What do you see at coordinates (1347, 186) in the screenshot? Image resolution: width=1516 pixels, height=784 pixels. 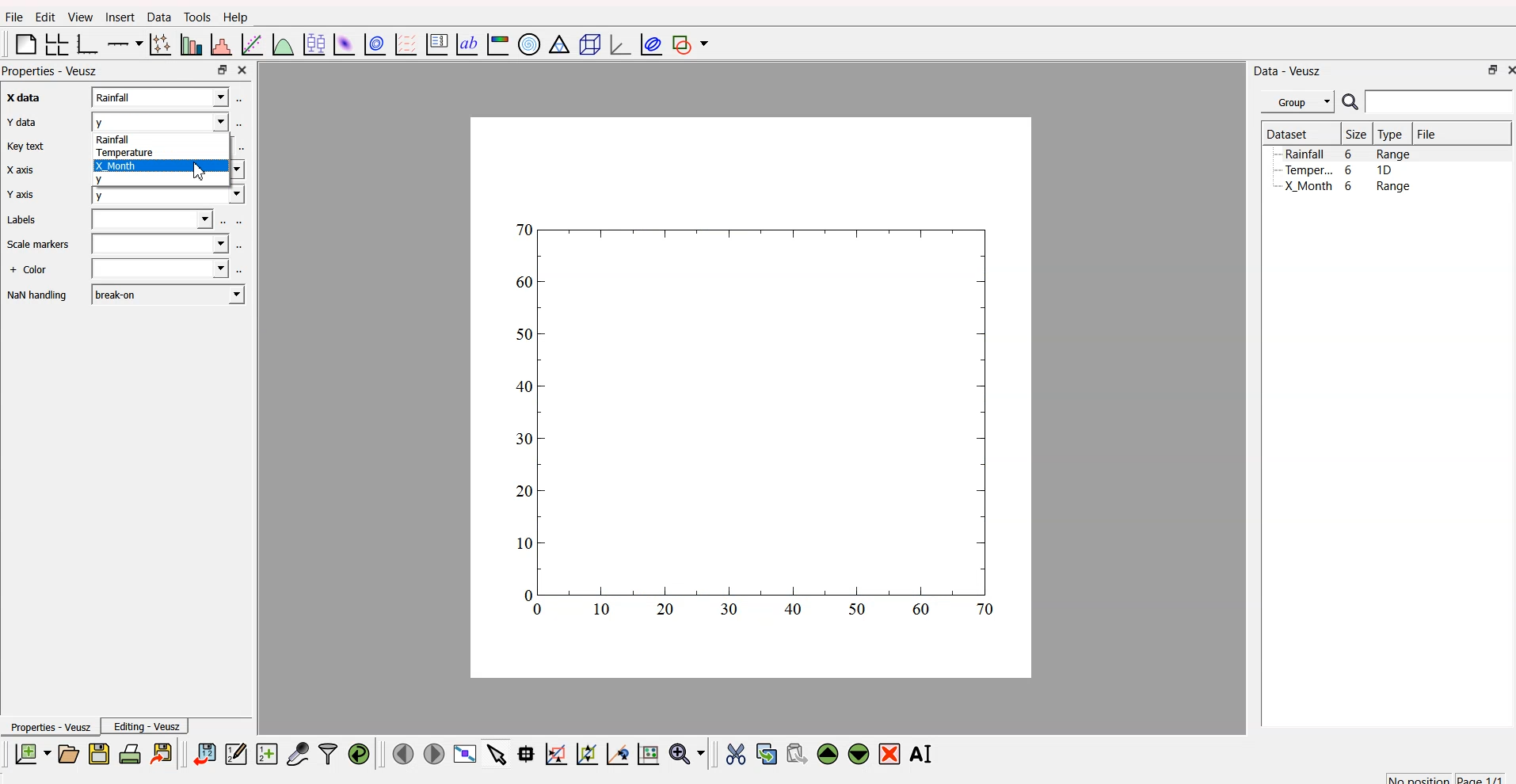 I see `X Month 6 Range` at bounding box center [1347, 186].